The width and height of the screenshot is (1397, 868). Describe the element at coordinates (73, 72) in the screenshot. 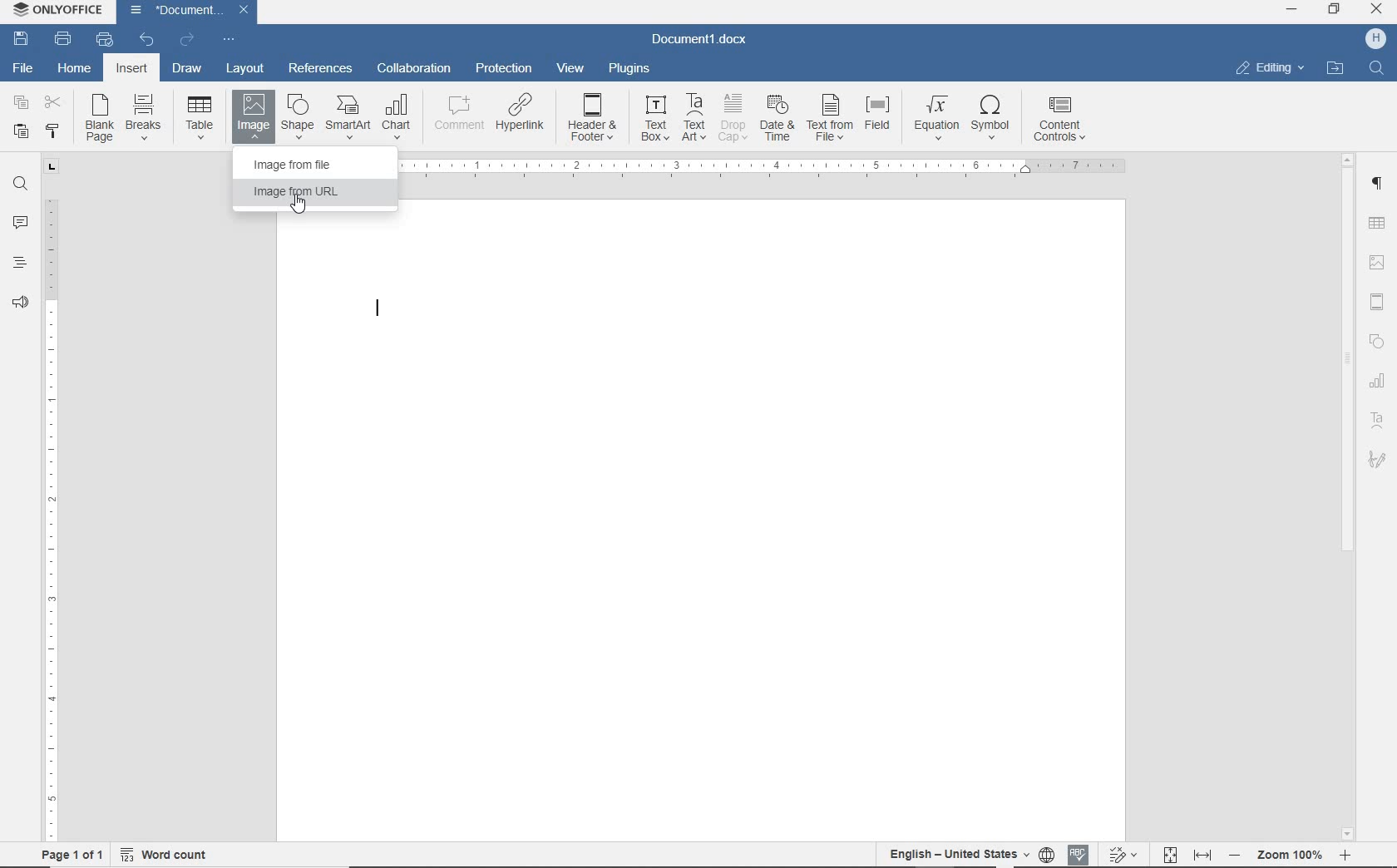

I see `home` at that location.